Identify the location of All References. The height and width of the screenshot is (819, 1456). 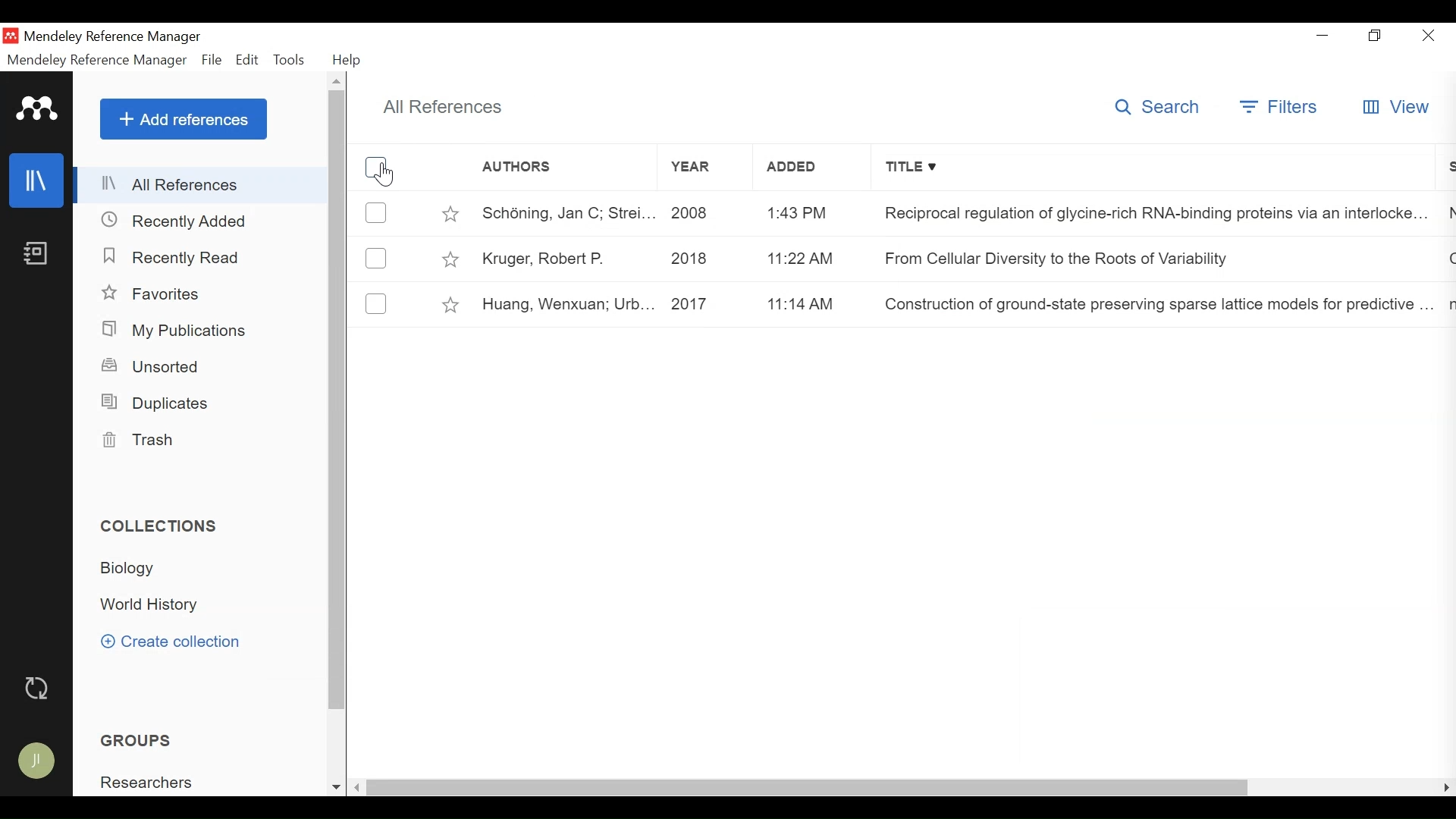
(202, 187).